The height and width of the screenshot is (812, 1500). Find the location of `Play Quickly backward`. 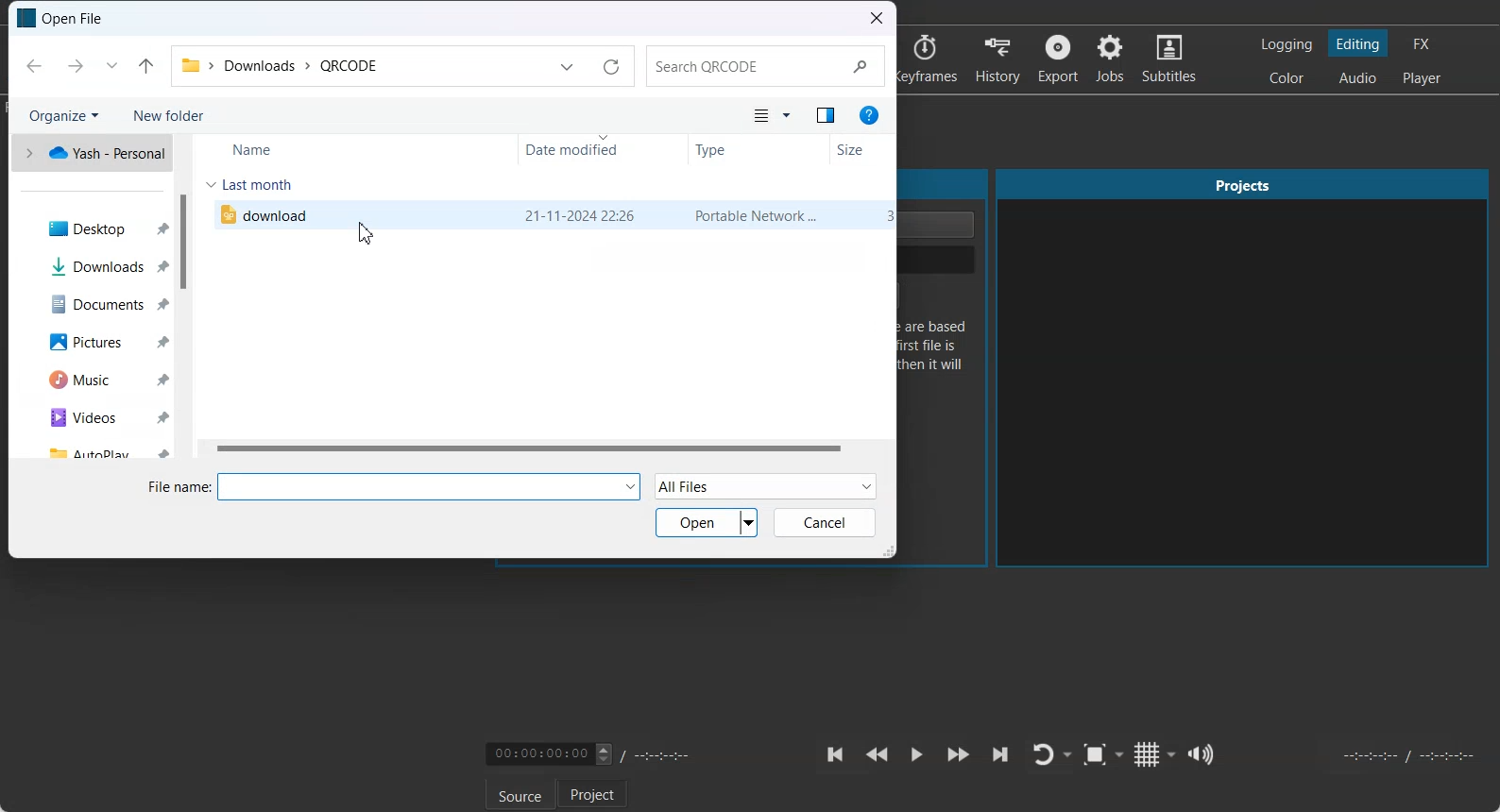

Play Quickly backward is located at coordinates (878, 754).